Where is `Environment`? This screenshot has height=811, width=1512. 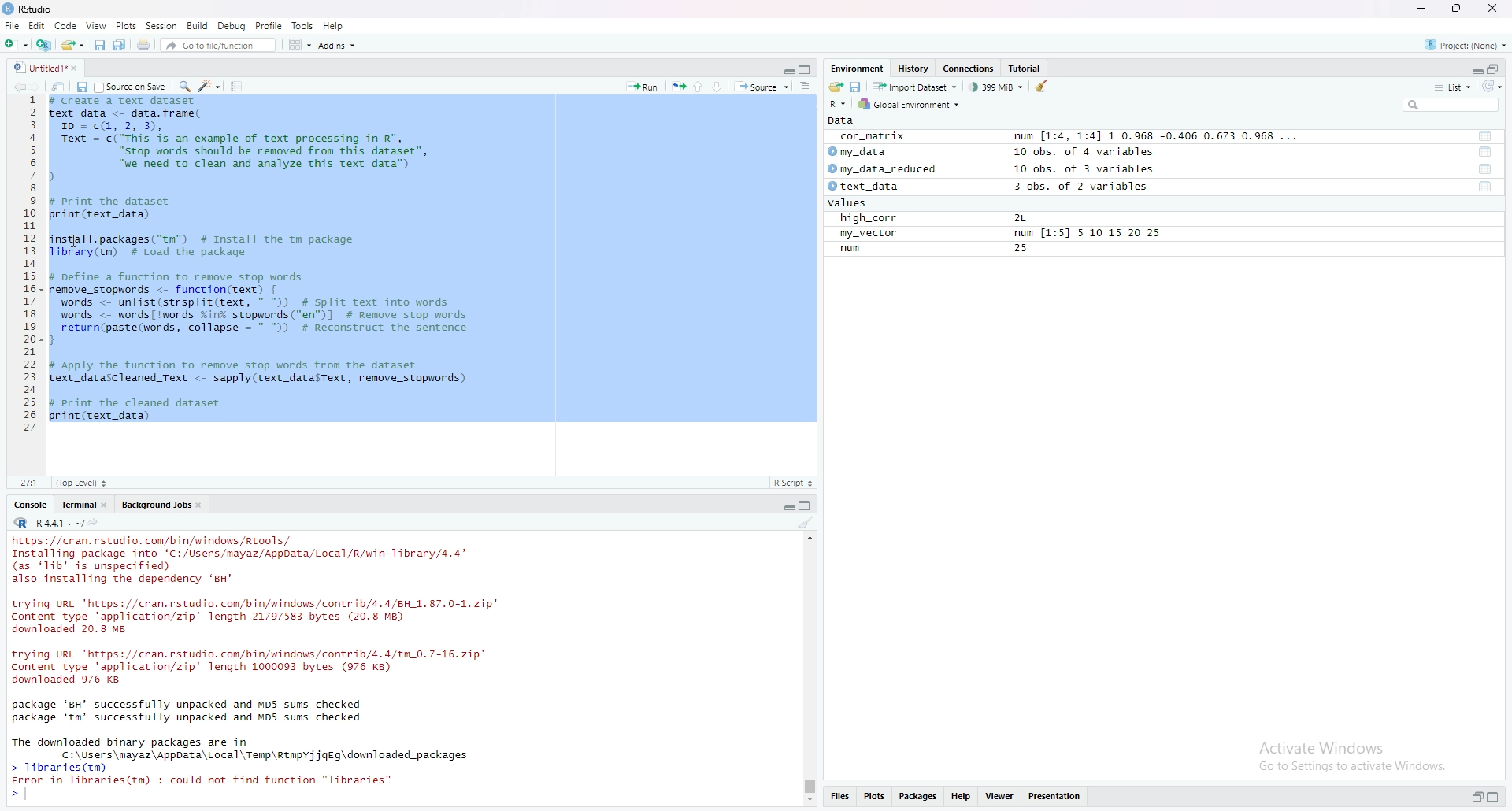
Environment is located at coordinates (858, 68).